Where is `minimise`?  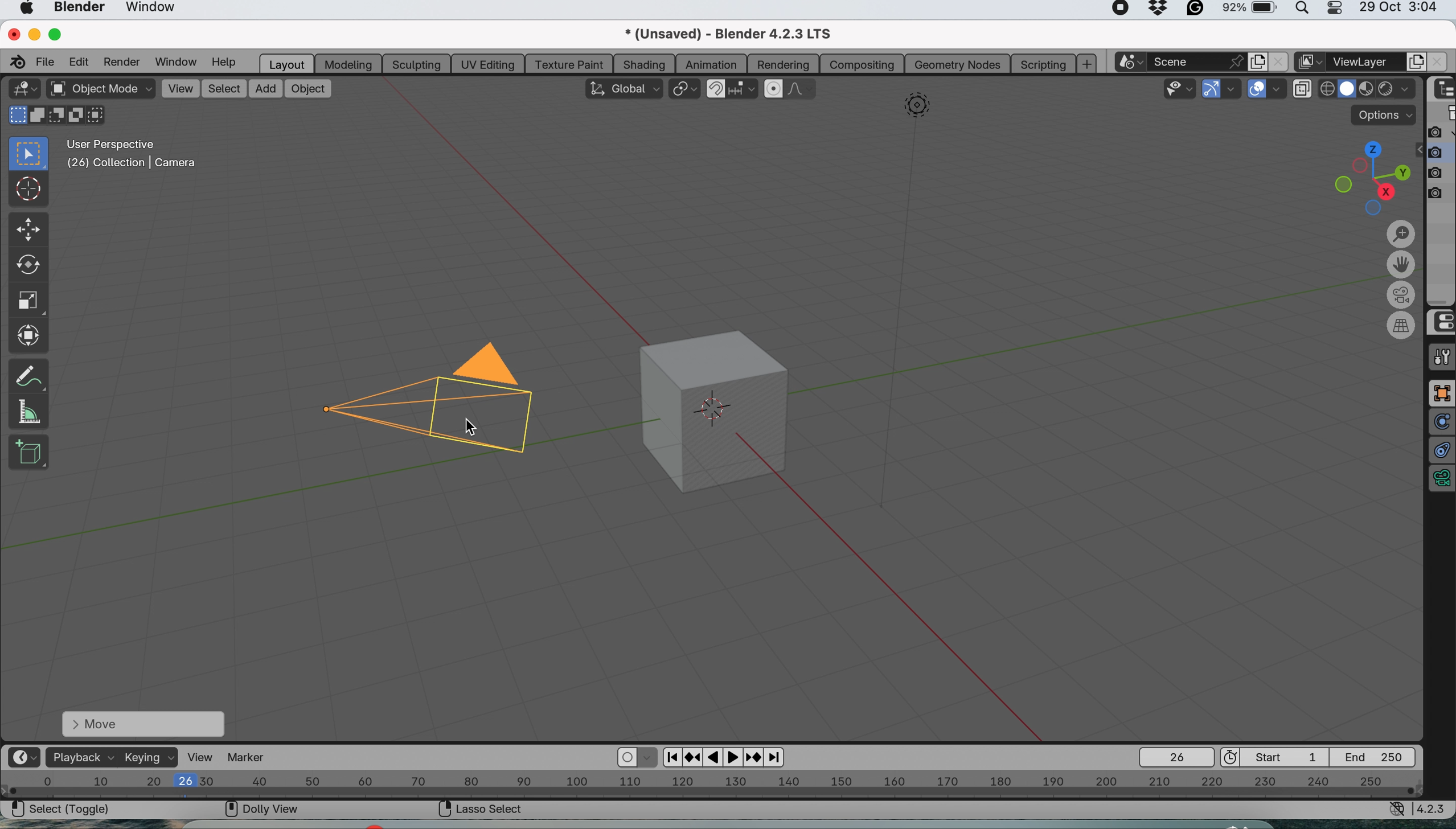
minimise is located at coordinates (32, 34).